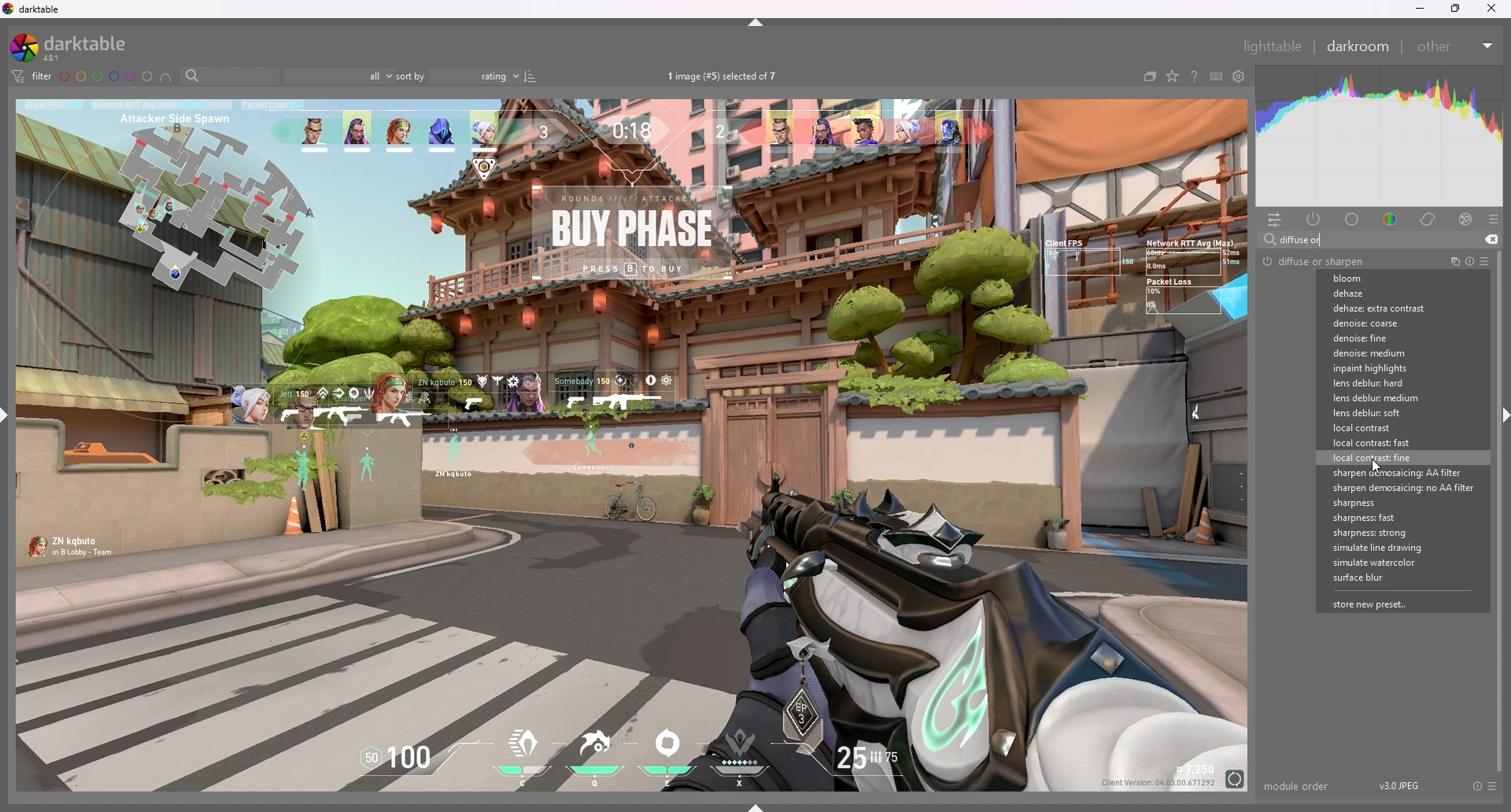 The image size is (1511, 812). I want to click on photo, so click(634, 445).